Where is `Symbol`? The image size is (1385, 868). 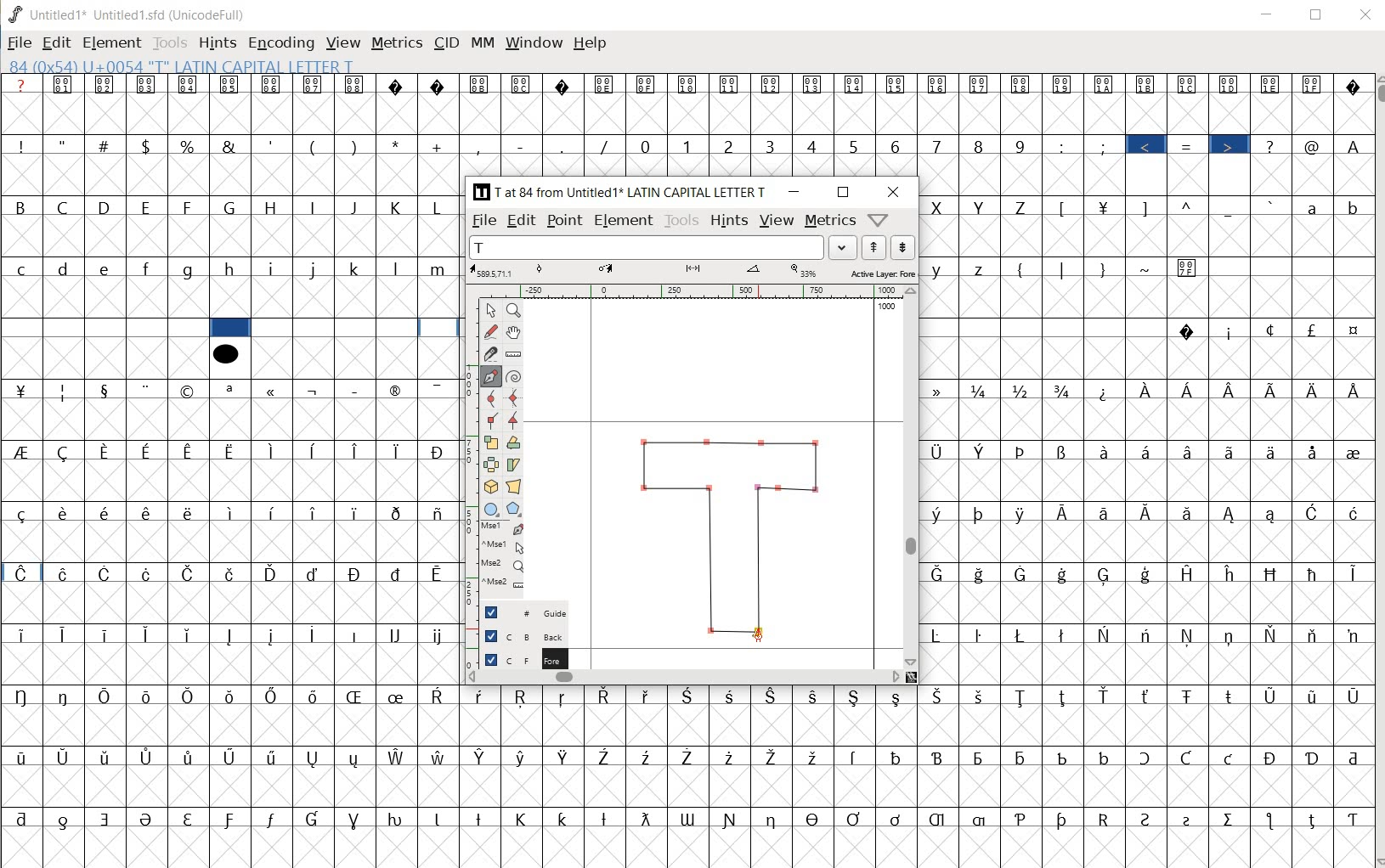 Symbol is located at coordinates (1104, 757).